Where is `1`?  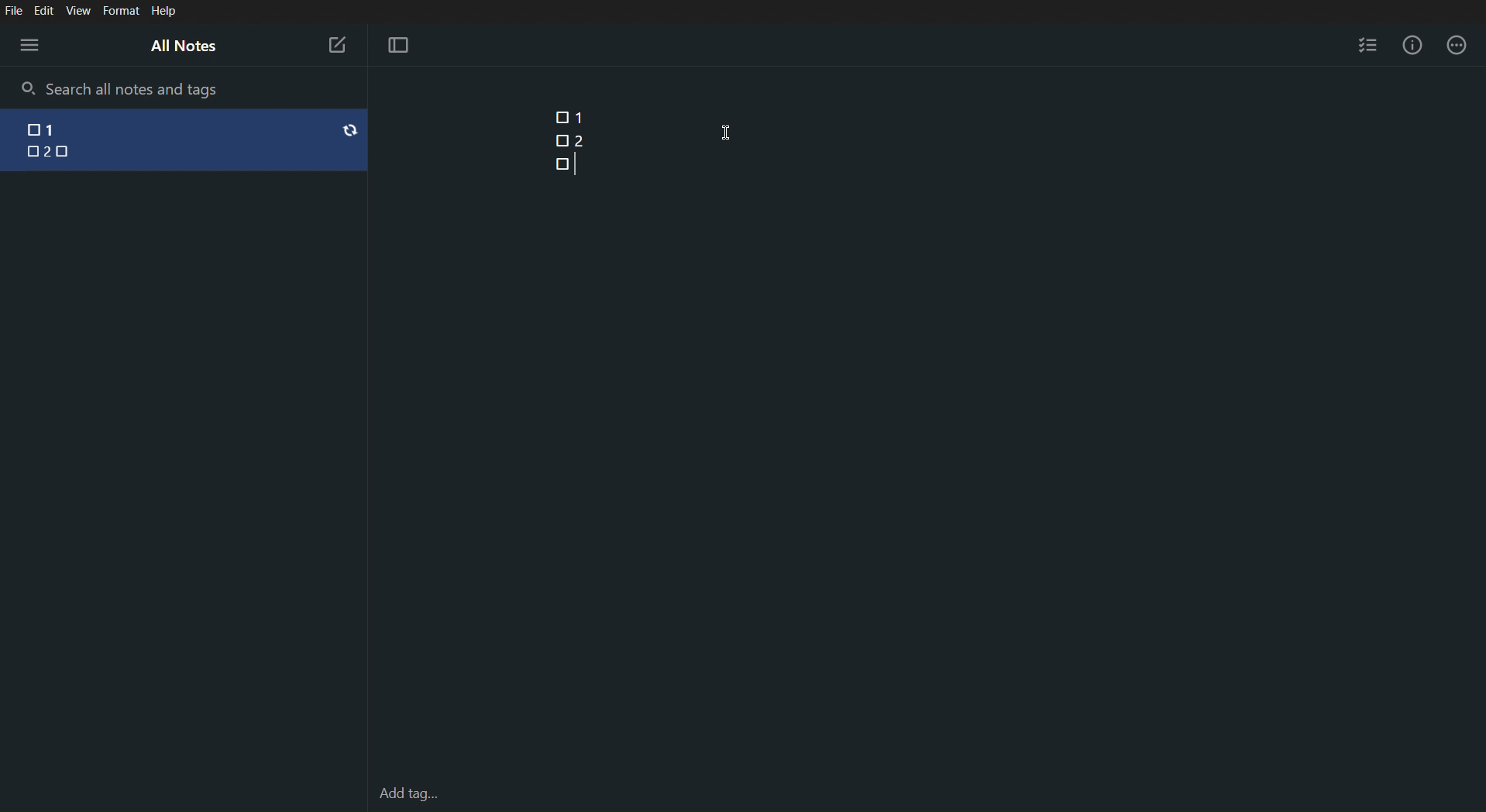
1 is located at coordinates (67, 128).